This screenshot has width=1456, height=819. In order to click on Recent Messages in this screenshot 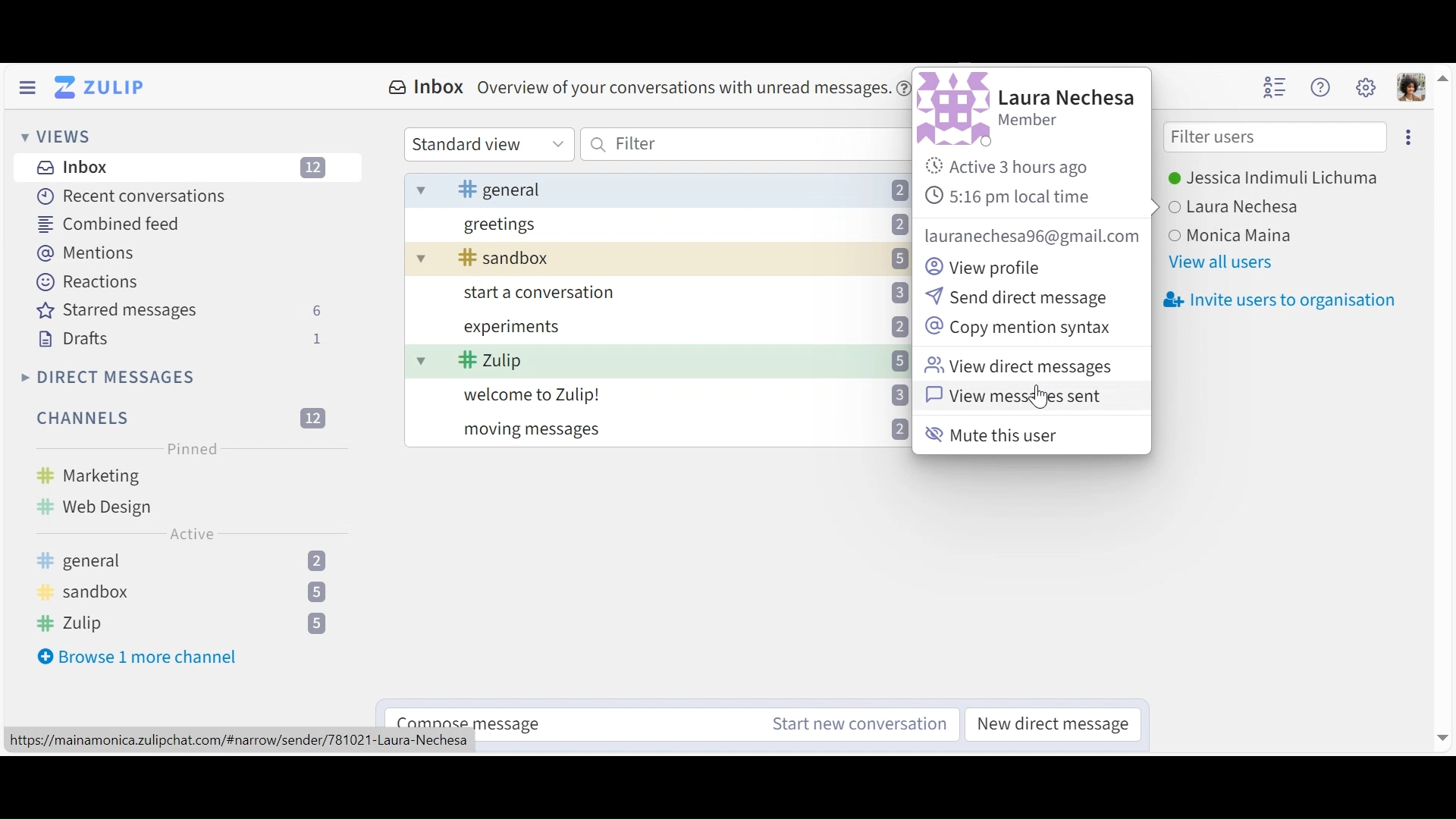, I will do `click(128, 198)`.